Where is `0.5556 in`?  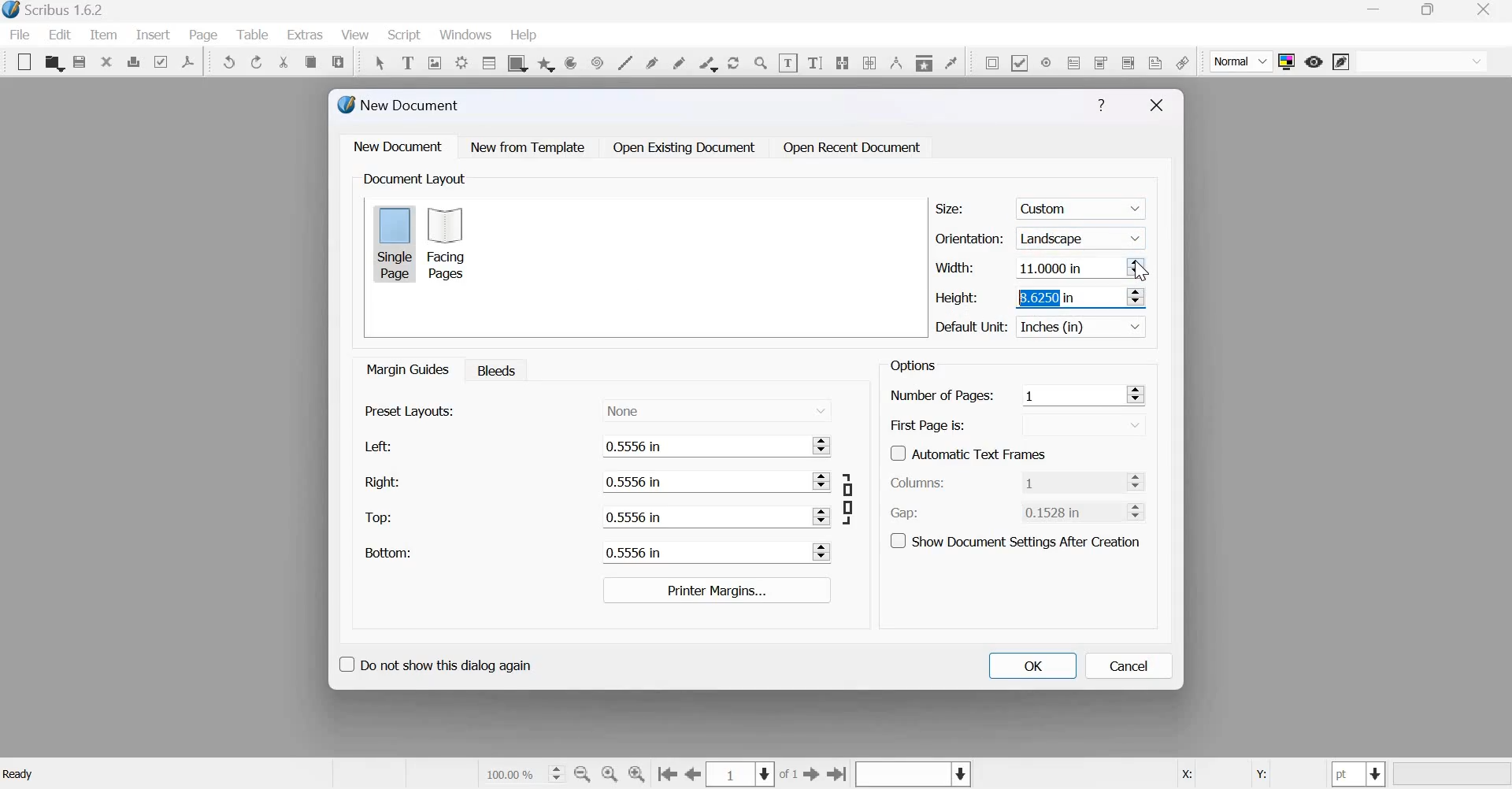 0.5556 in is located at coordinates (703, 553).